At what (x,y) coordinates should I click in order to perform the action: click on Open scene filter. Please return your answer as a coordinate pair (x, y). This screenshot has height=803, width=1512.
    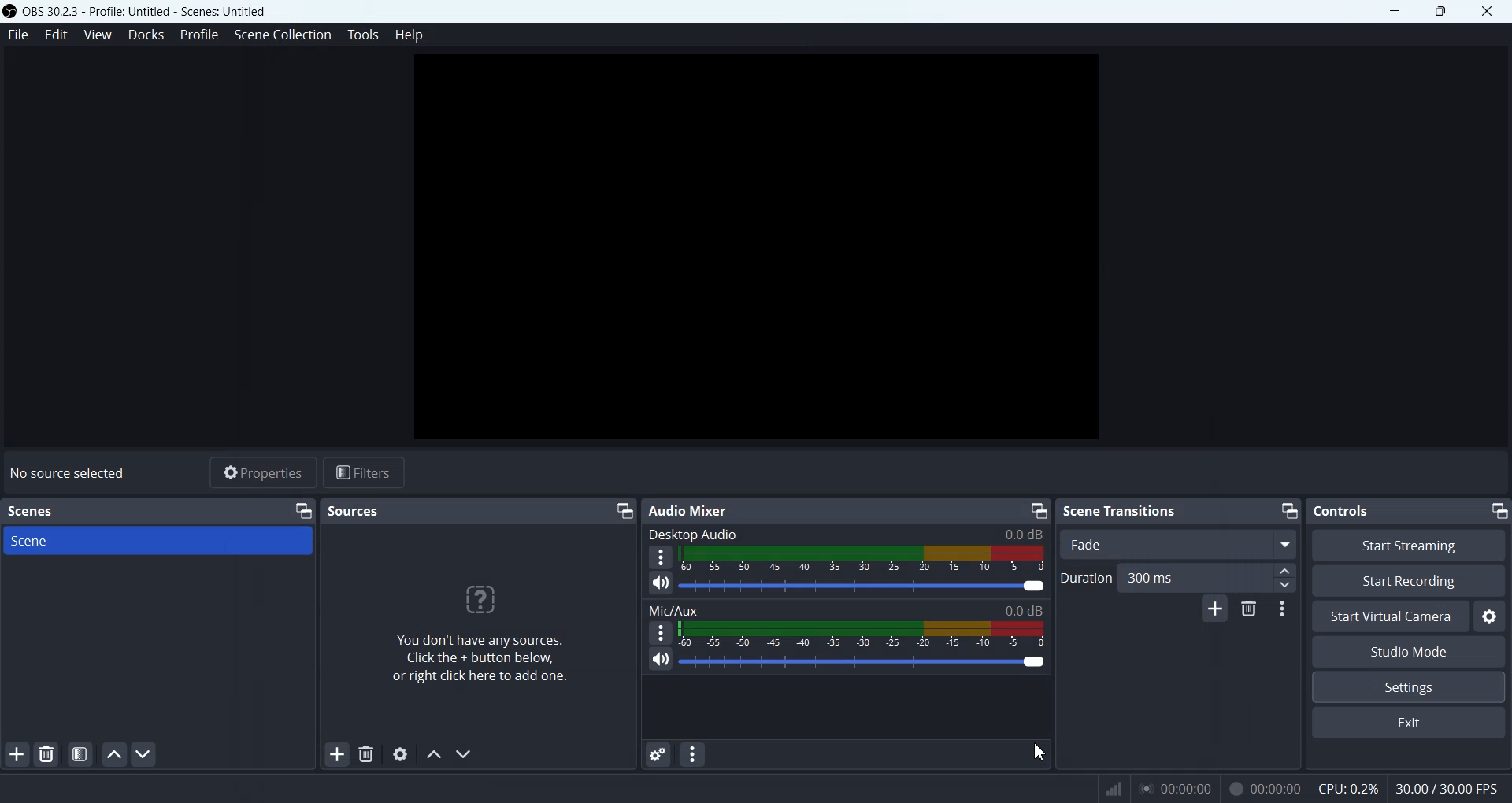
    Looking at the image, I should click on (80, 754).